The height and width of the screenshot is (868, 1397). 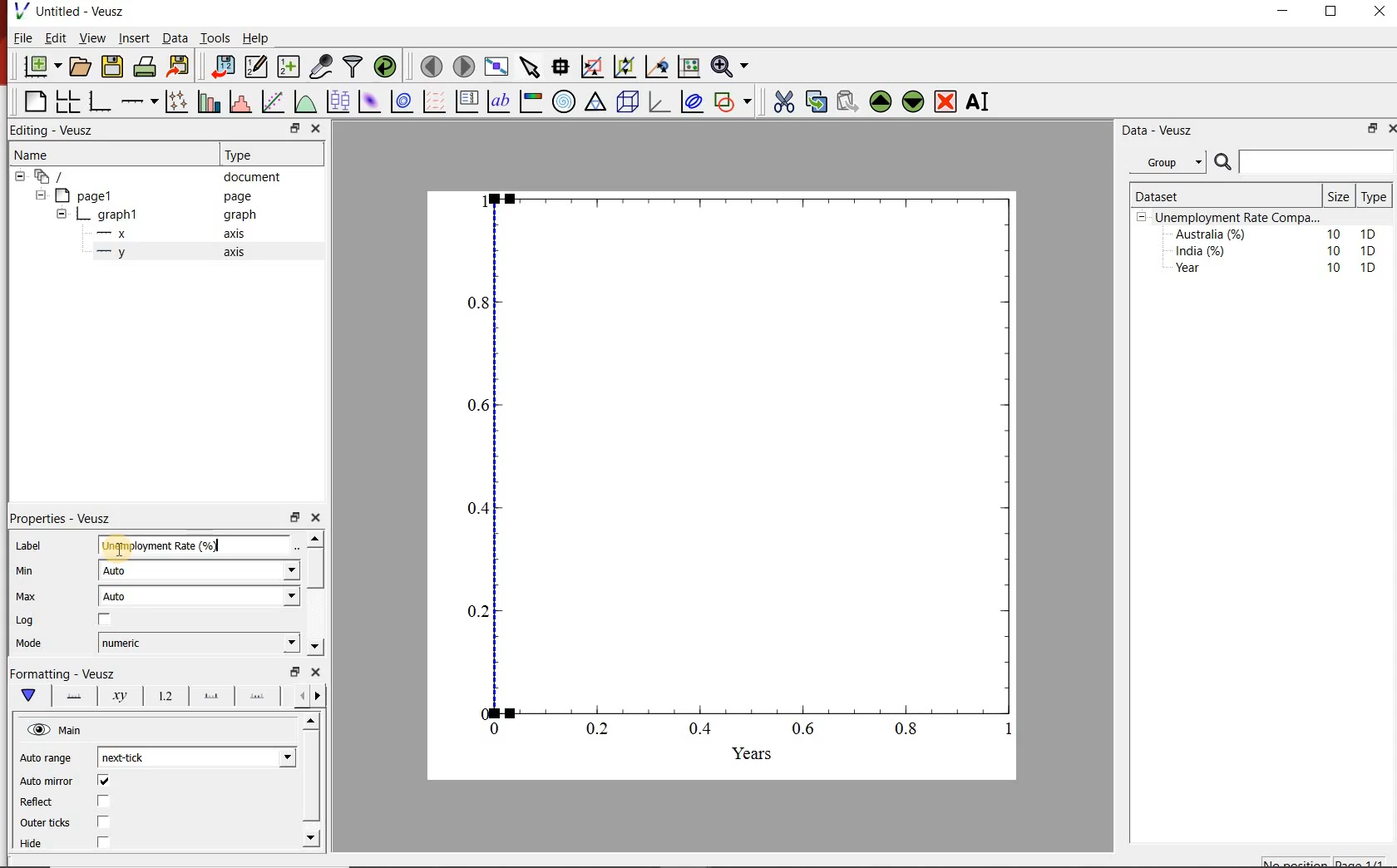 I want to click on Type, so click(x=1373, y=197).